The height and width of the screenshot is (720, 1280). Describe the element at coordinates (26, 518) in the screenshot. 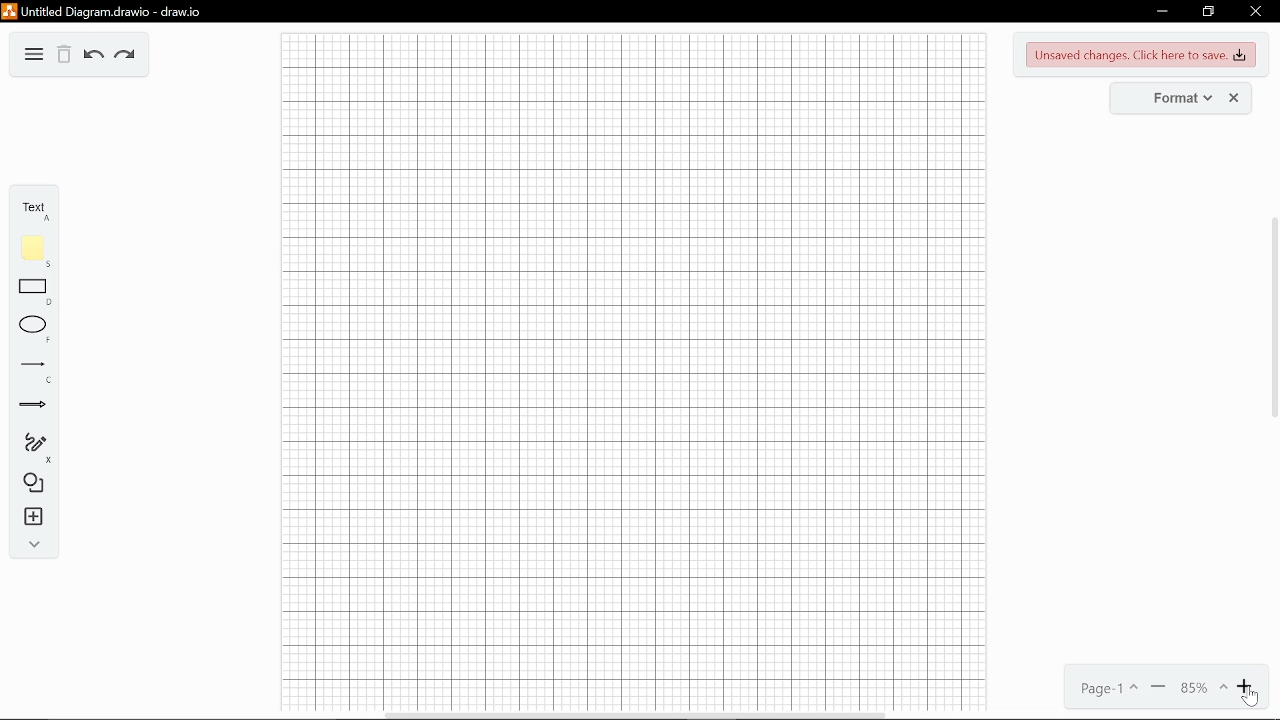

I see `insert` at that location.